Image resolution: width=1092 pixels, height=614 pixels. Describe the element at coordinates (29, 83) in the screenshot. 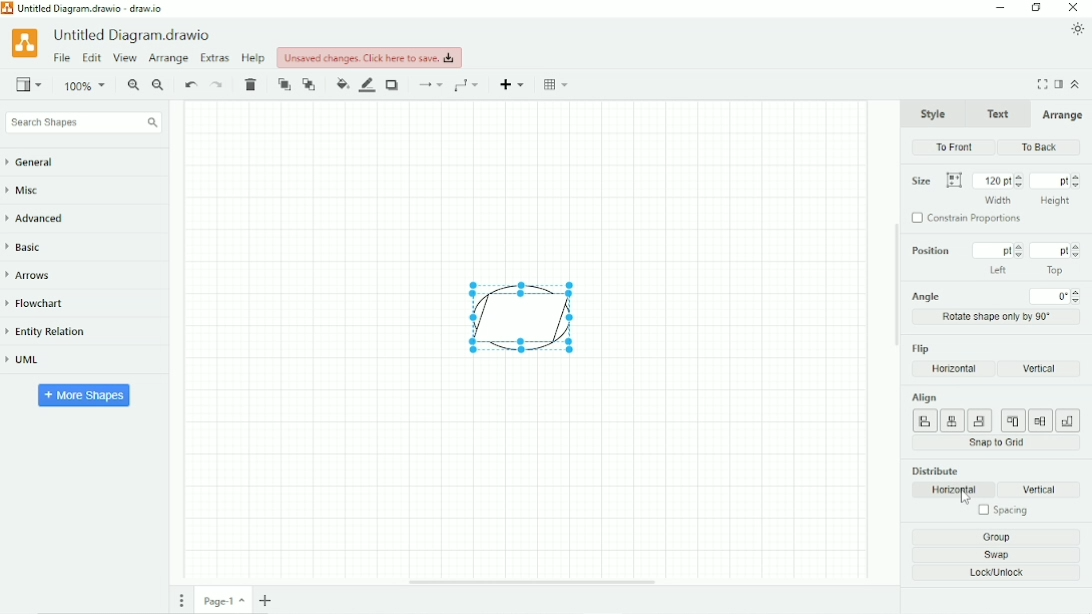

I see `View` at that location.